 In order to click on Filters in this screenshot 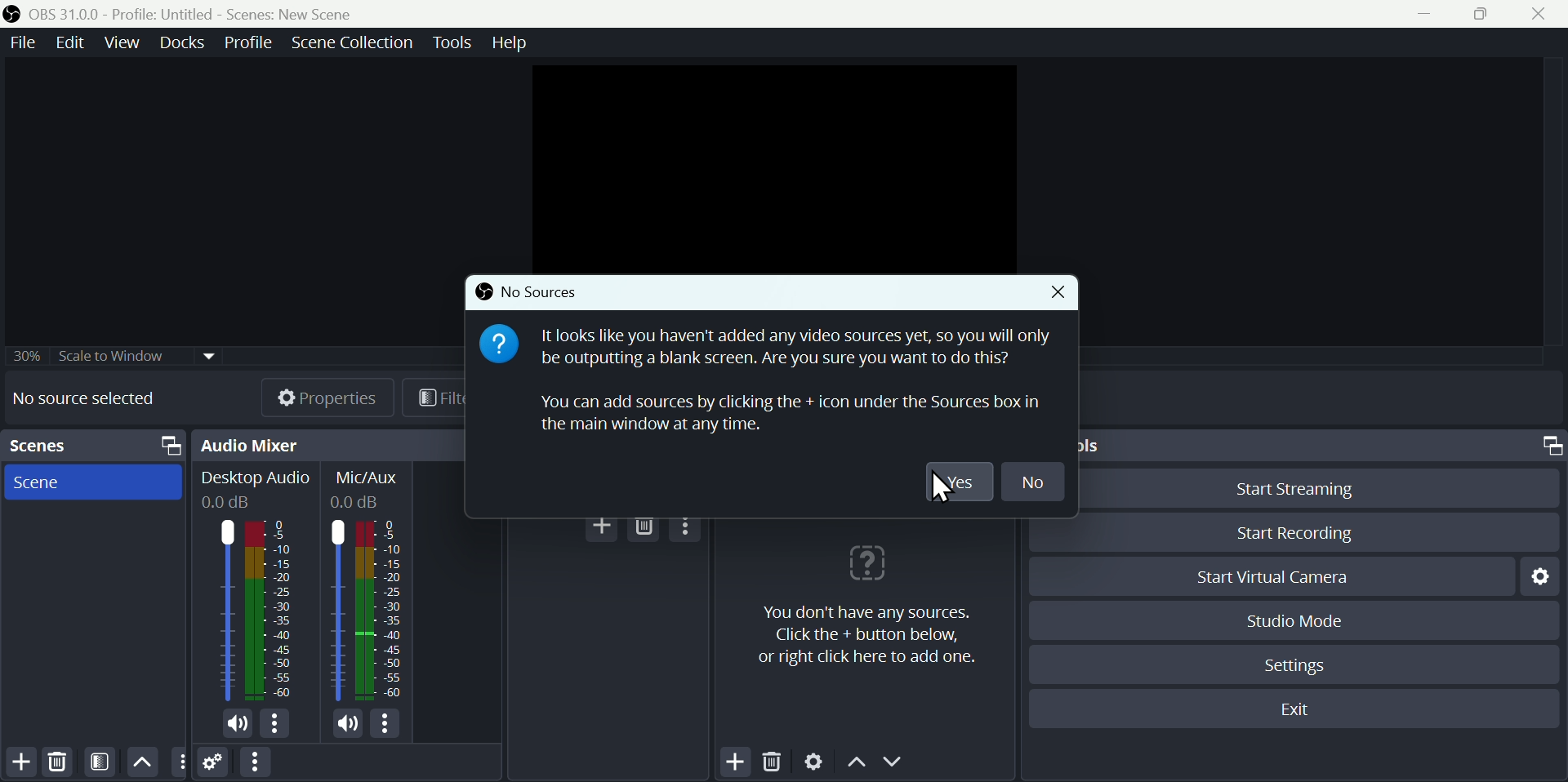, I will do `click(441, 398)`.